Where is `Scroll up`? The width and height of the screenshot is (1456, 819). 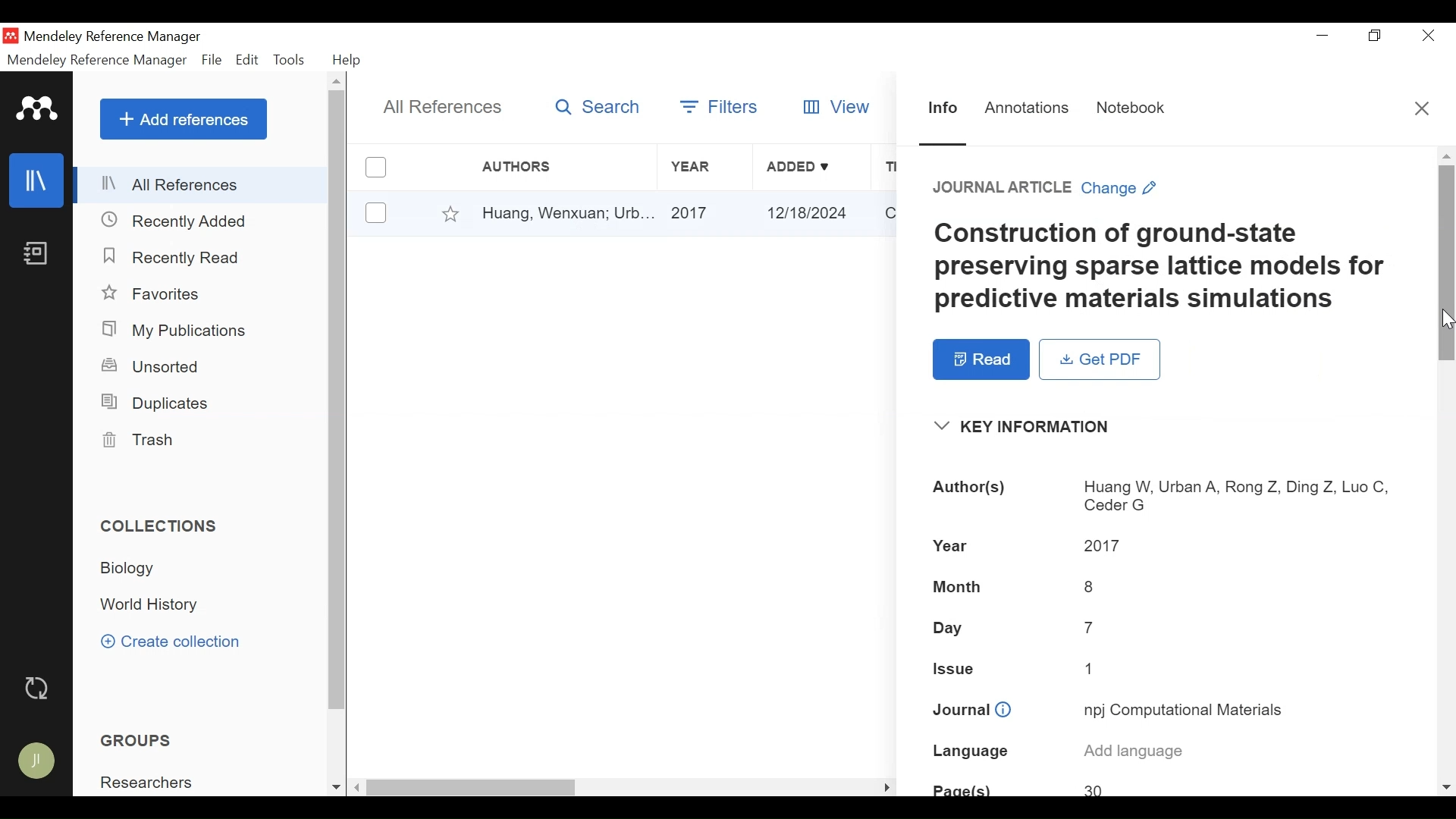
Scroll up is located at coordinates (338, 82).